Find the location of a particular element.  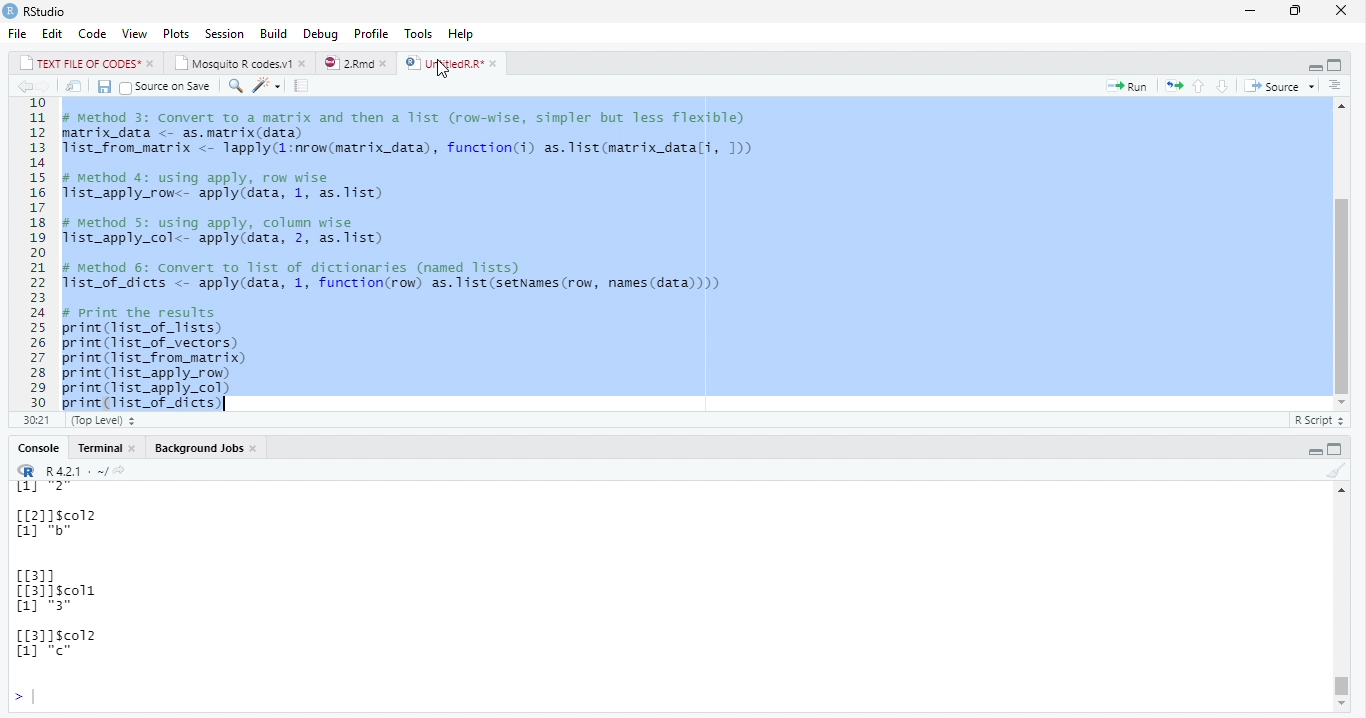

move top is located at coordinates (1339, 493).